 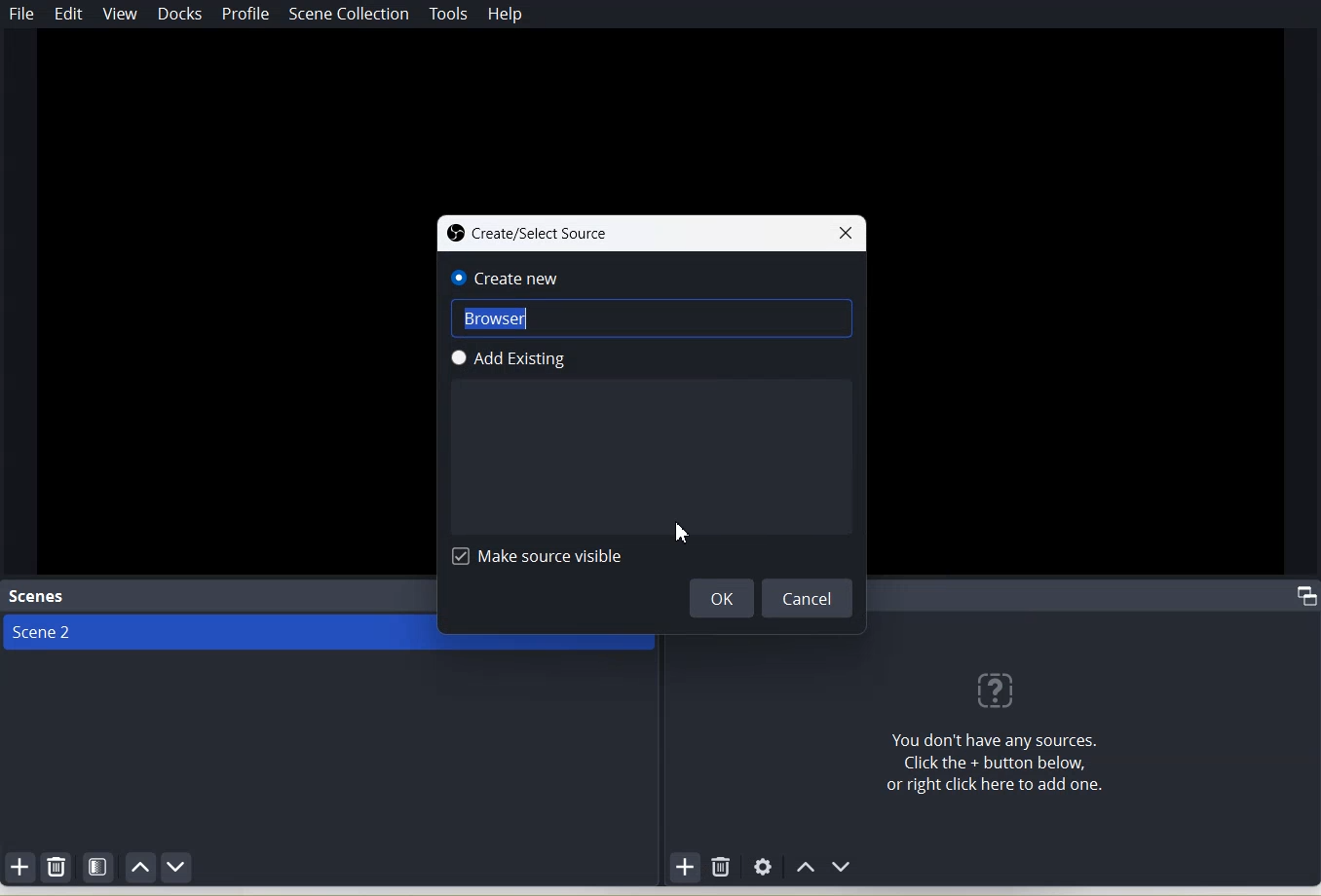 I want to click on scenes, so click(x=39, y=596).